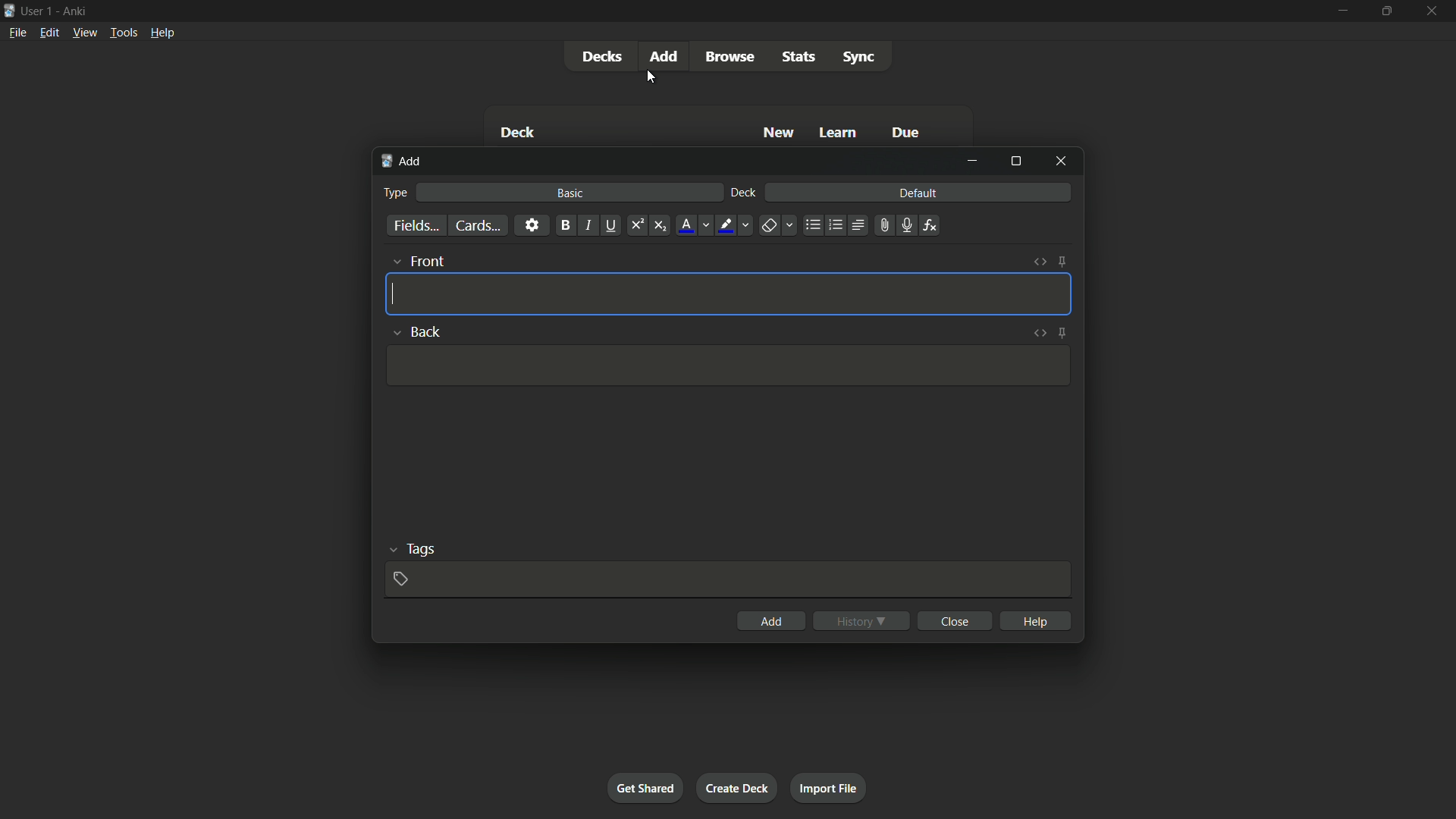 The height and width of the screenshot is (819, 1456). What do you see at coordinates (736, 787) in the screenshot?
I see `create deck` at bounding box center [736, 787].